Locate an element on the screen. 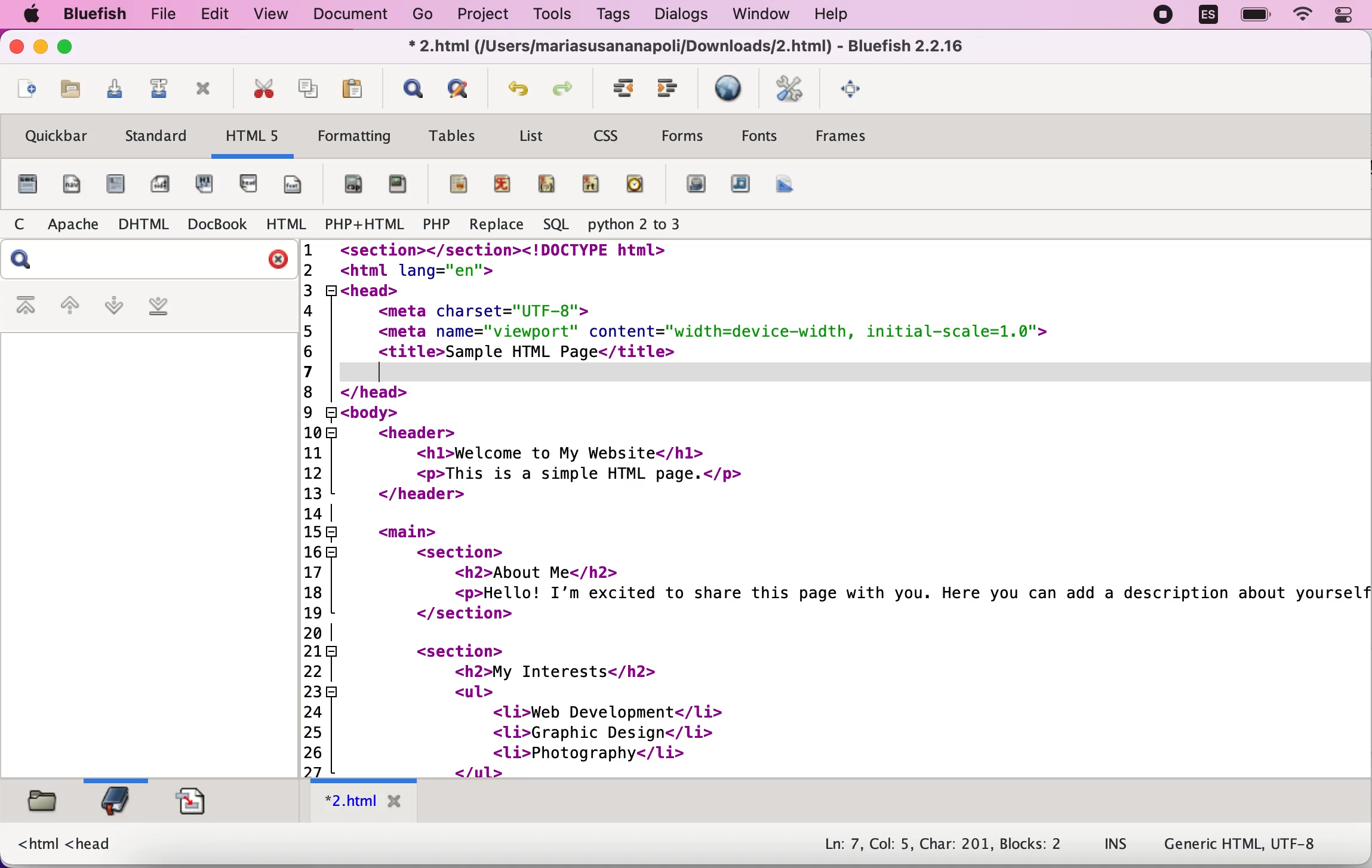  figure is located at coordinates (400, 184).